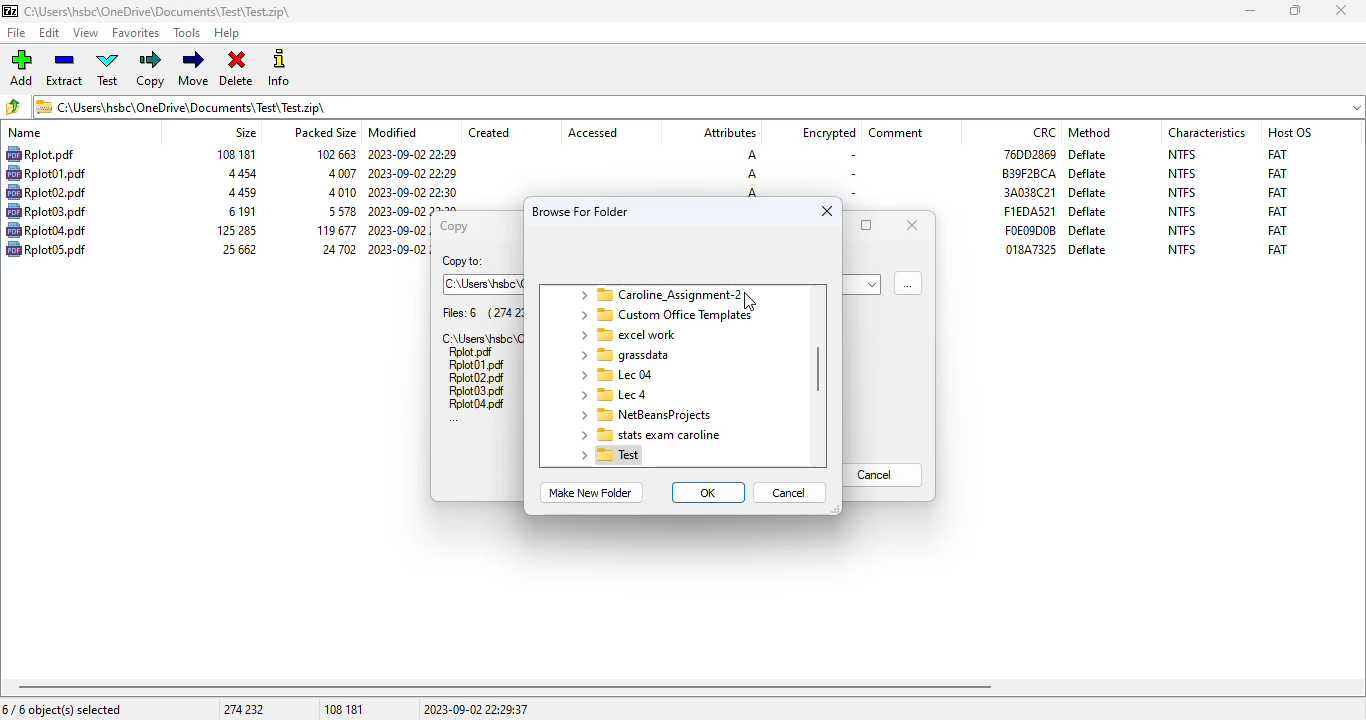 The height and width of the screenshot is (720, 1366). I want to click on file, so click(46, 173).